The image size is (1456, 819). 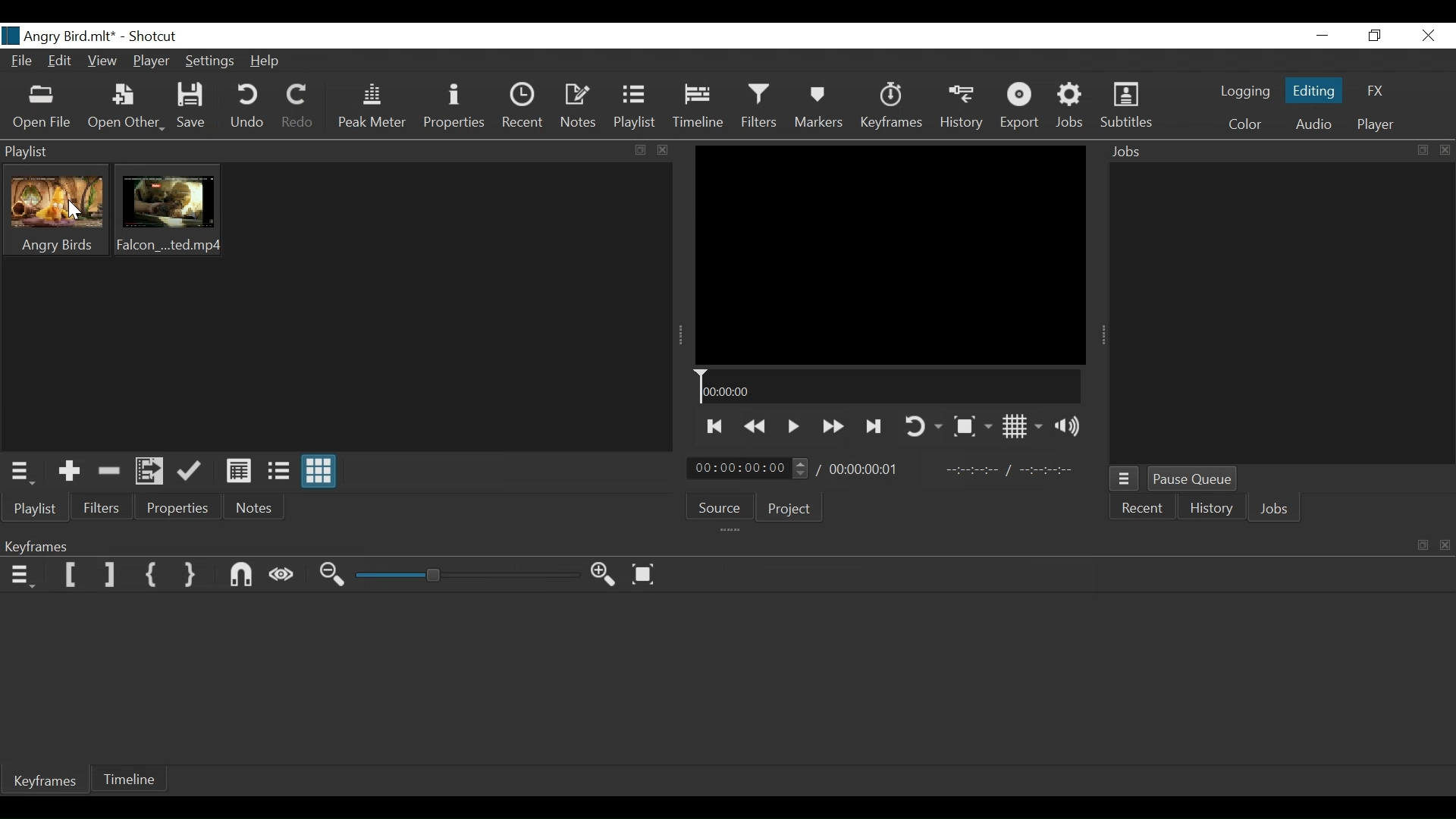 I want to click on logging, so click(x=1241, y=93).